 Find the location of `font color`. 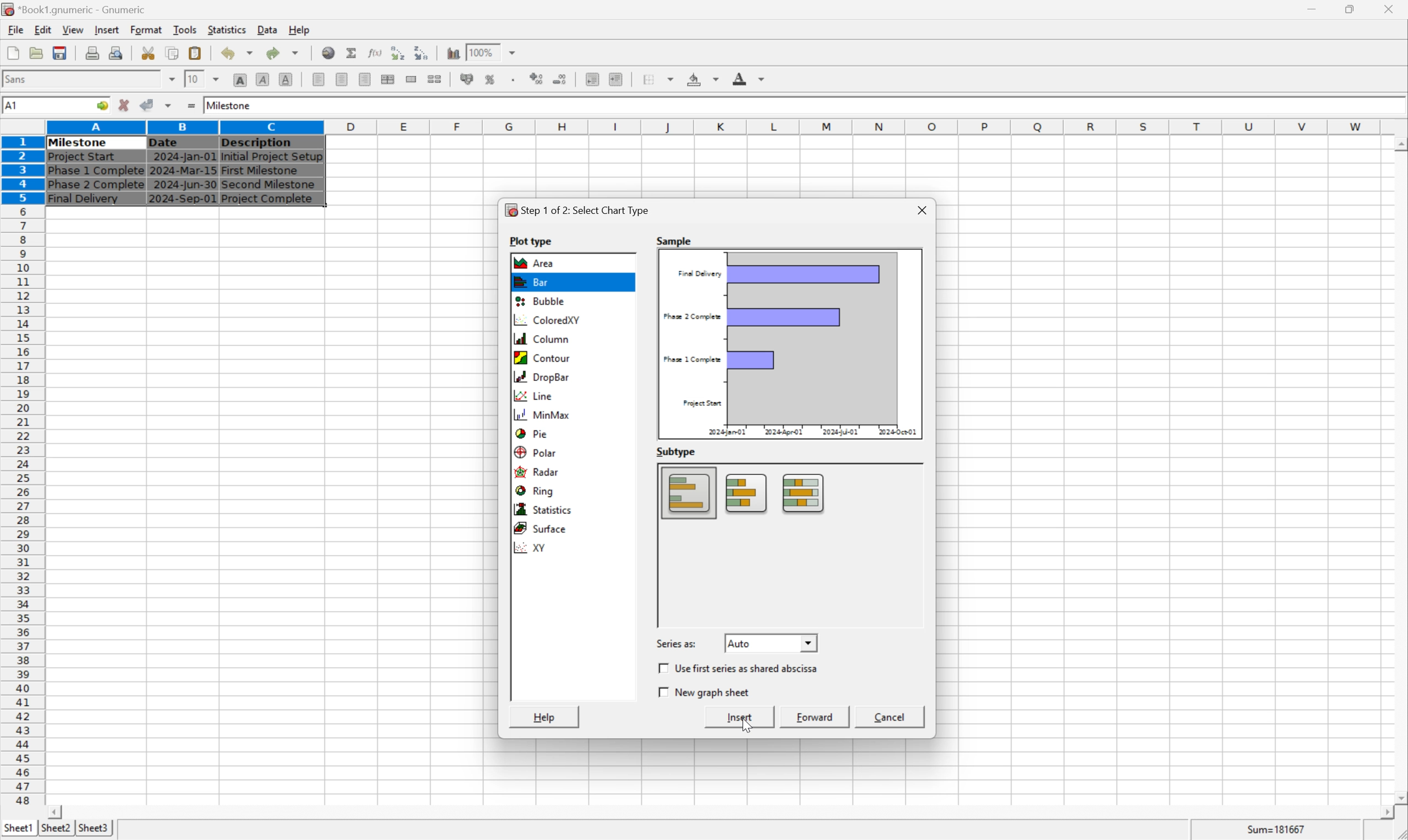

font color is located at coordinates (749, 78).